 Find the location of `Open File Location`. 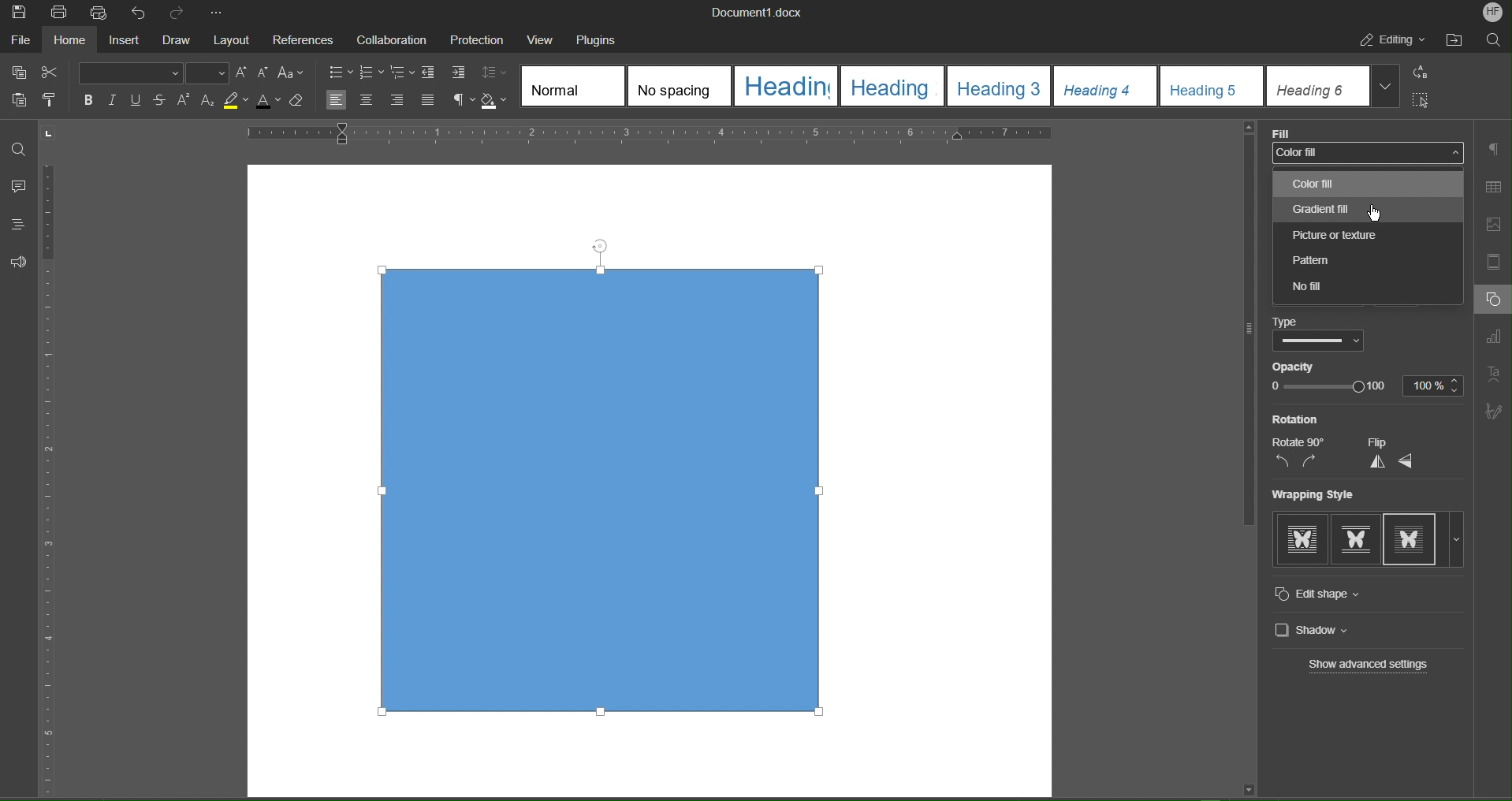

Open File Location is located at coordinates (1456, 42).